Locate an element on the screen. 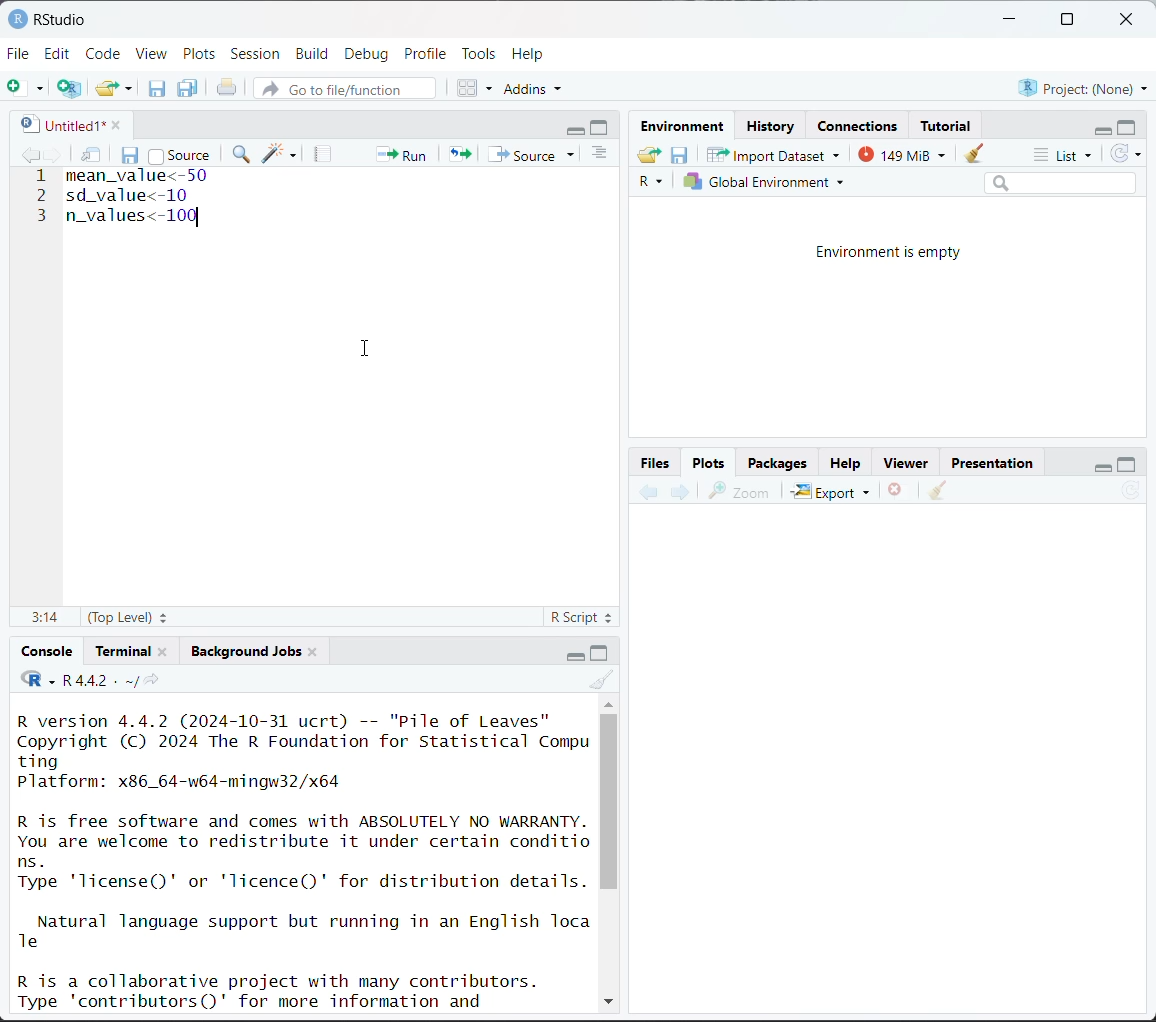 This screenshot has height=1022, width=1156. clear list is located at coordinates (131, 88).